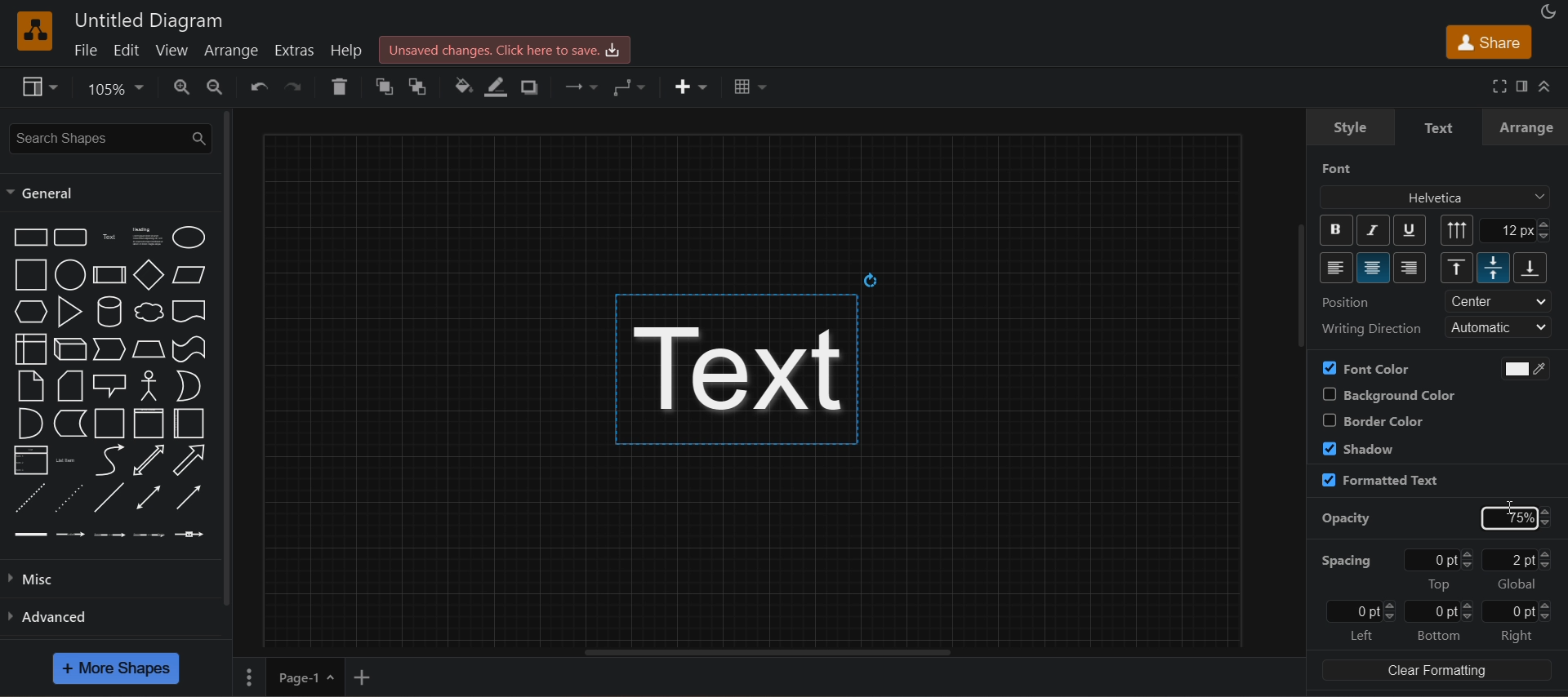 The height and width of the screenshot is (697, 1568). Describe the element at coordinates (31, 423) in the screenshot. I see `and` at that location.